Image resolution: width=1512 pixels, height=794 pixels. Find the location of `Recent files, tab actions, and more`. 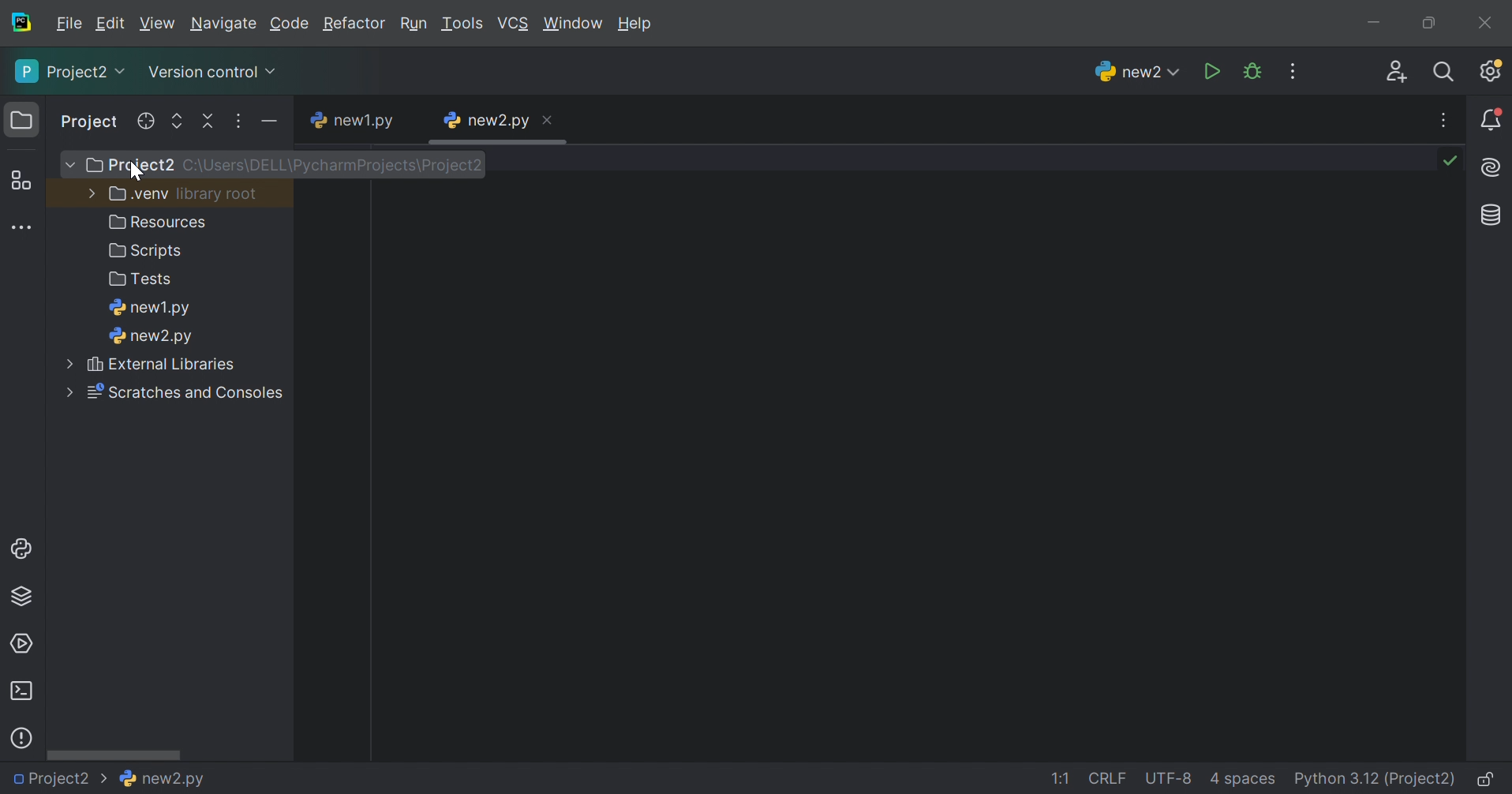

Recent files, tab actions, and more is located at coordinates (1445, 120).